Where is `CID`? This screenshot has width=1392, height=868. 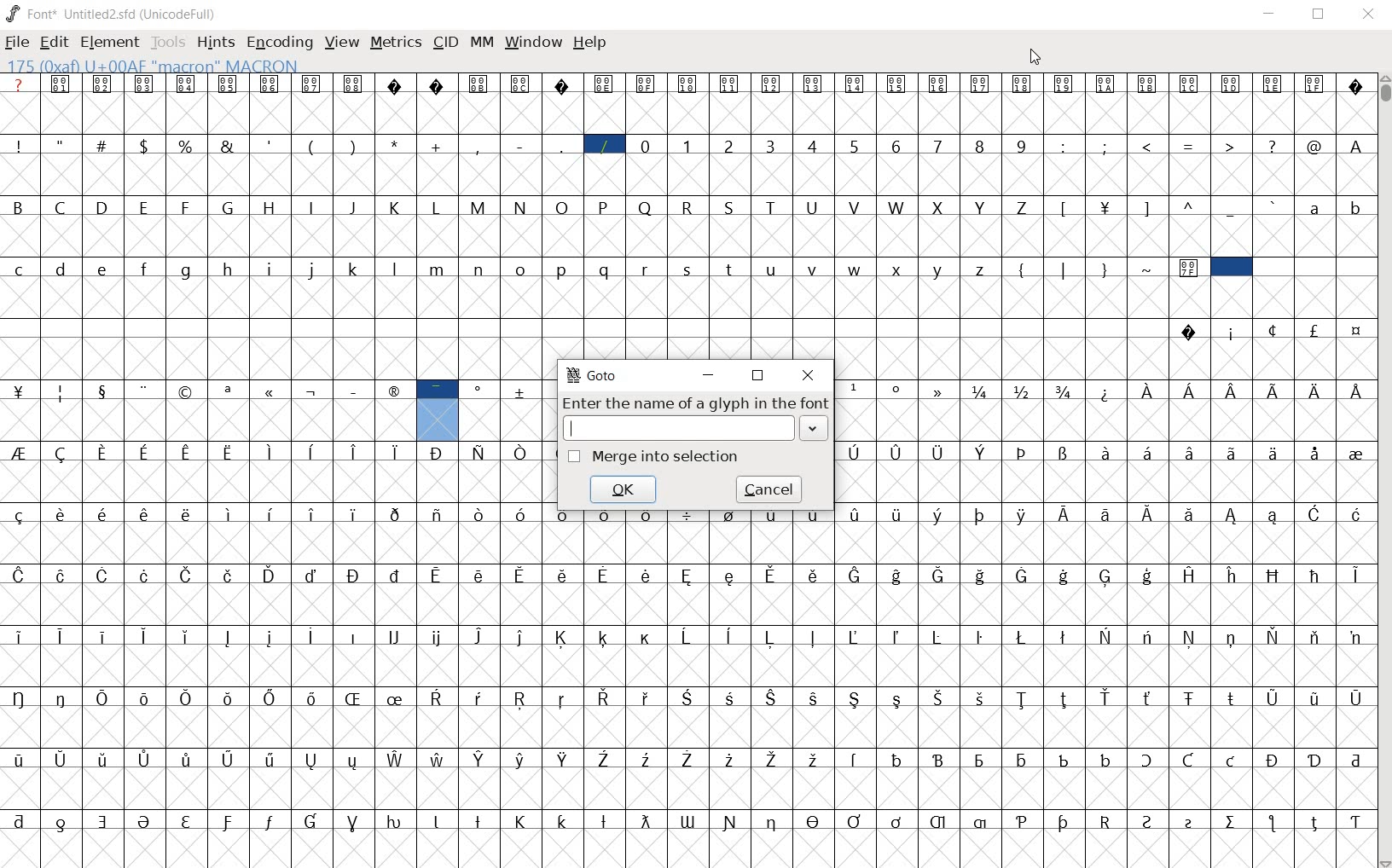
CID is located at coordinates (445, 45).